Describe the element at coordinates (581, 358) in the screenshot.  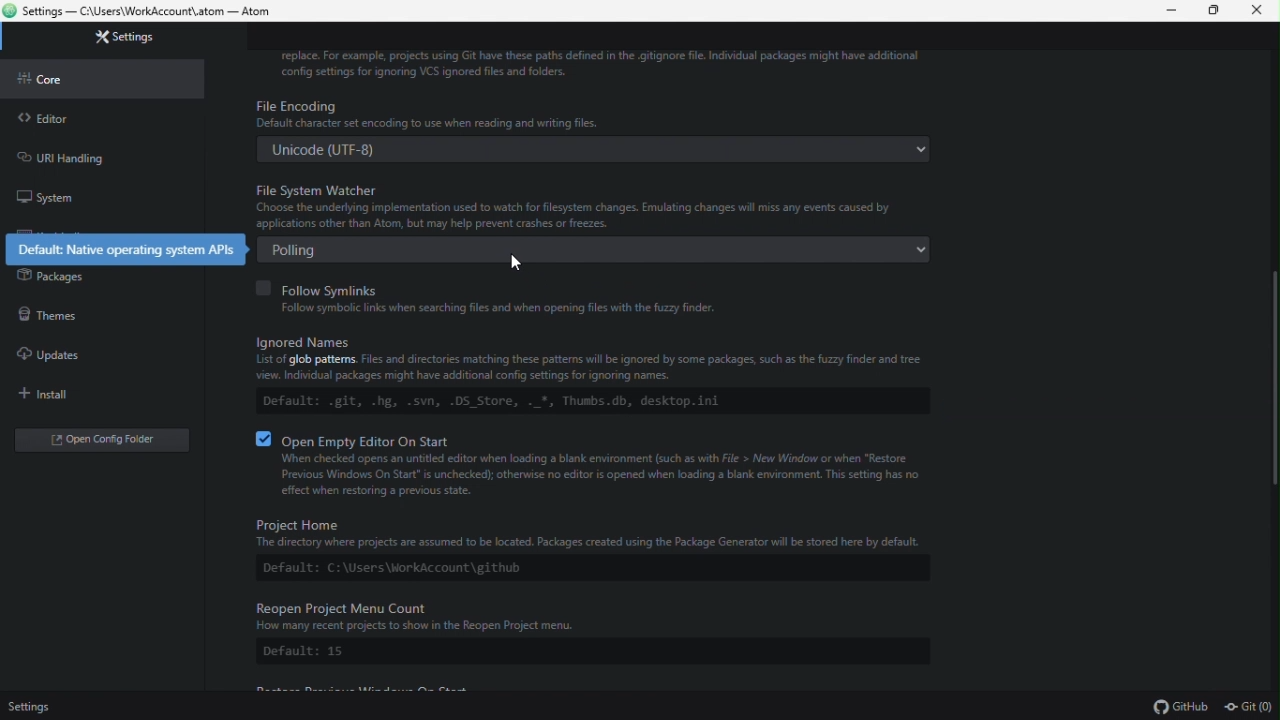
I see `Ignored Names Files and directories matching these patterns will be ignored by some packages, such 35 the fuzzy finder and tree view. Individual packages might have additional config settings for ignoring names.` at that location.